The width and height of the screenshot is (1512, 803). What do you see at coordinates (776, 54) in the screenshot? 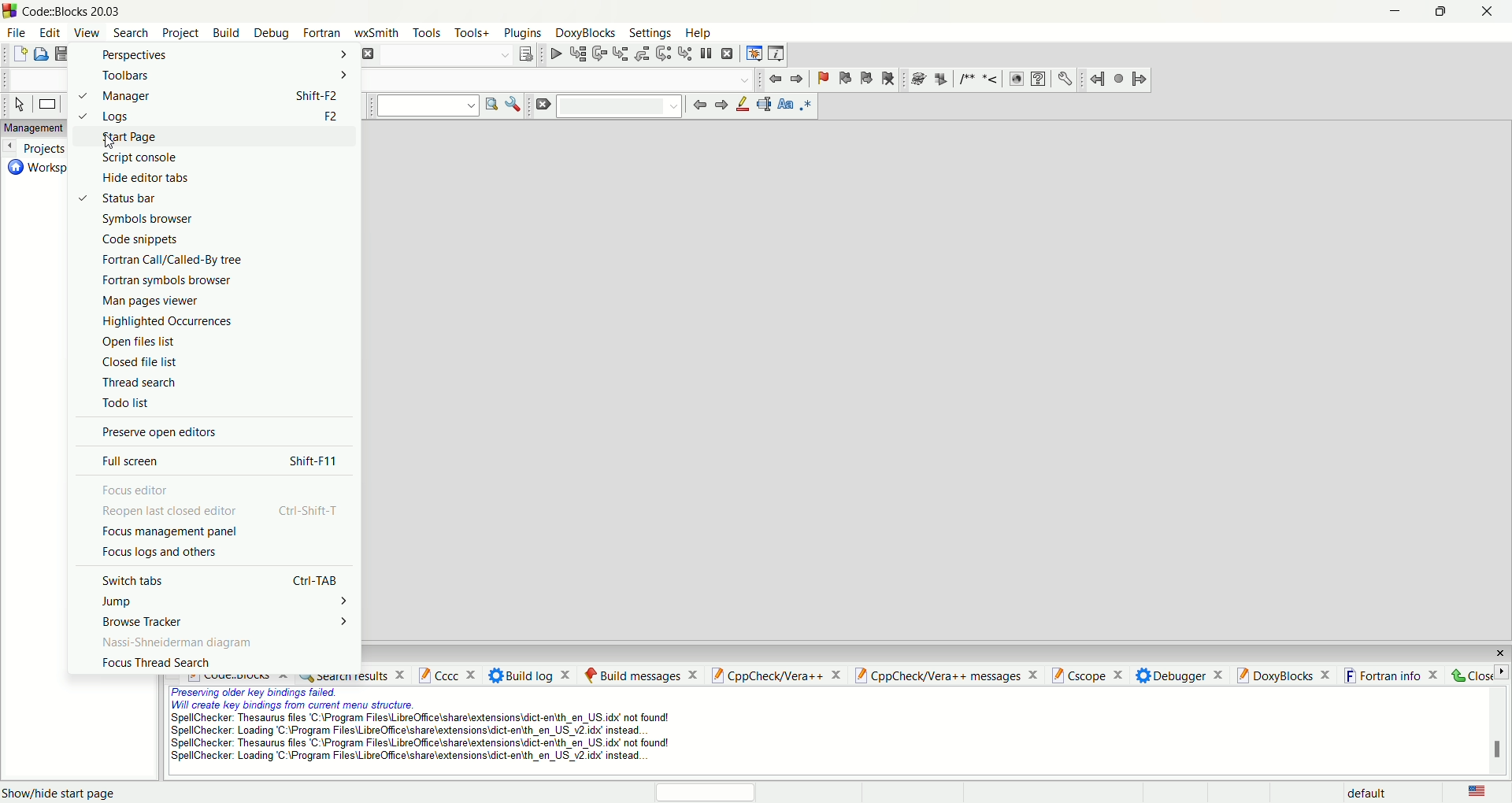
I see `various info` at bounding box center [776, 54].